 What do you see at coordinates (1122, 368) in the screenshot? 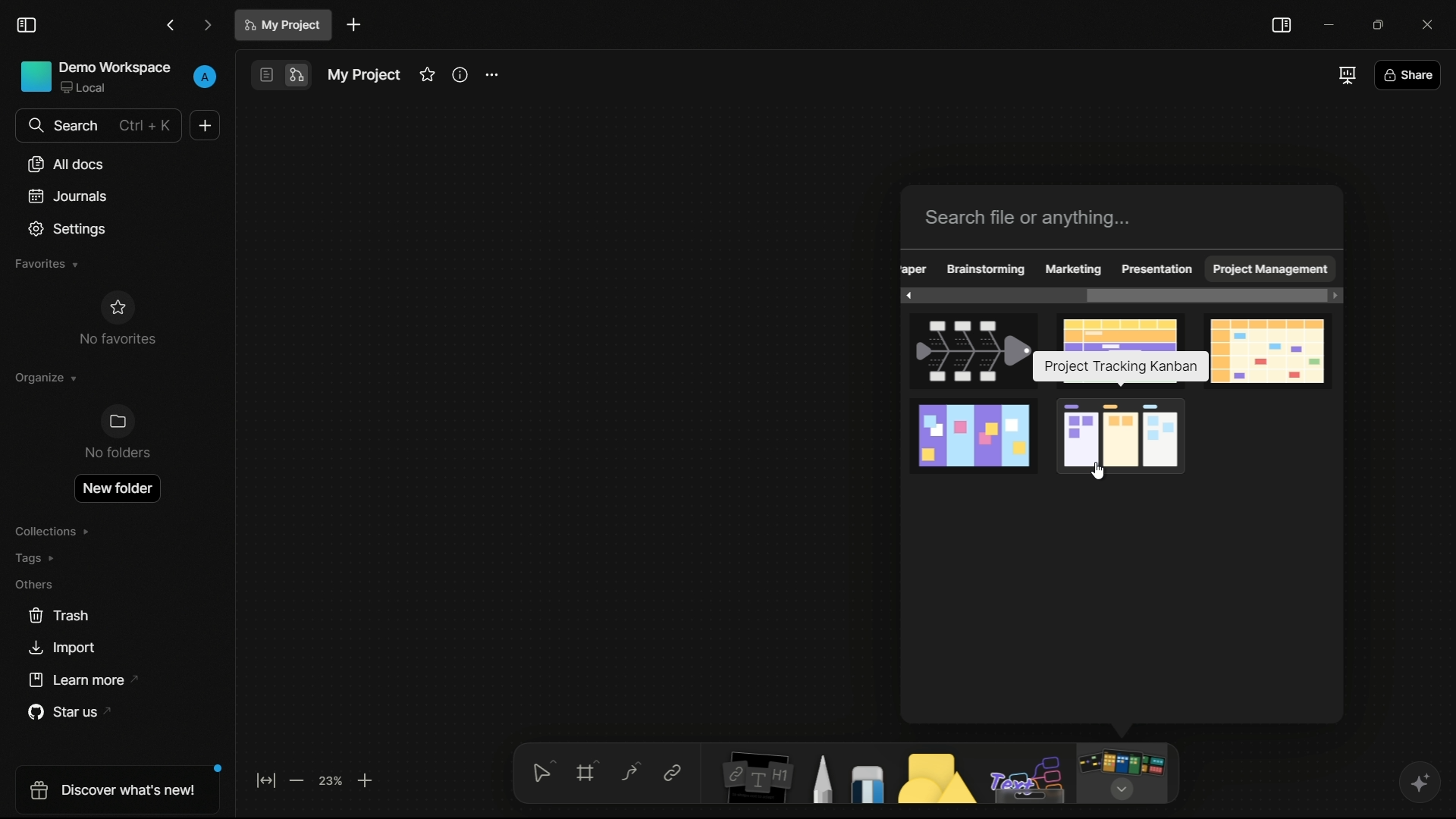
I see `pop up` at bounding box center [1122, 368].